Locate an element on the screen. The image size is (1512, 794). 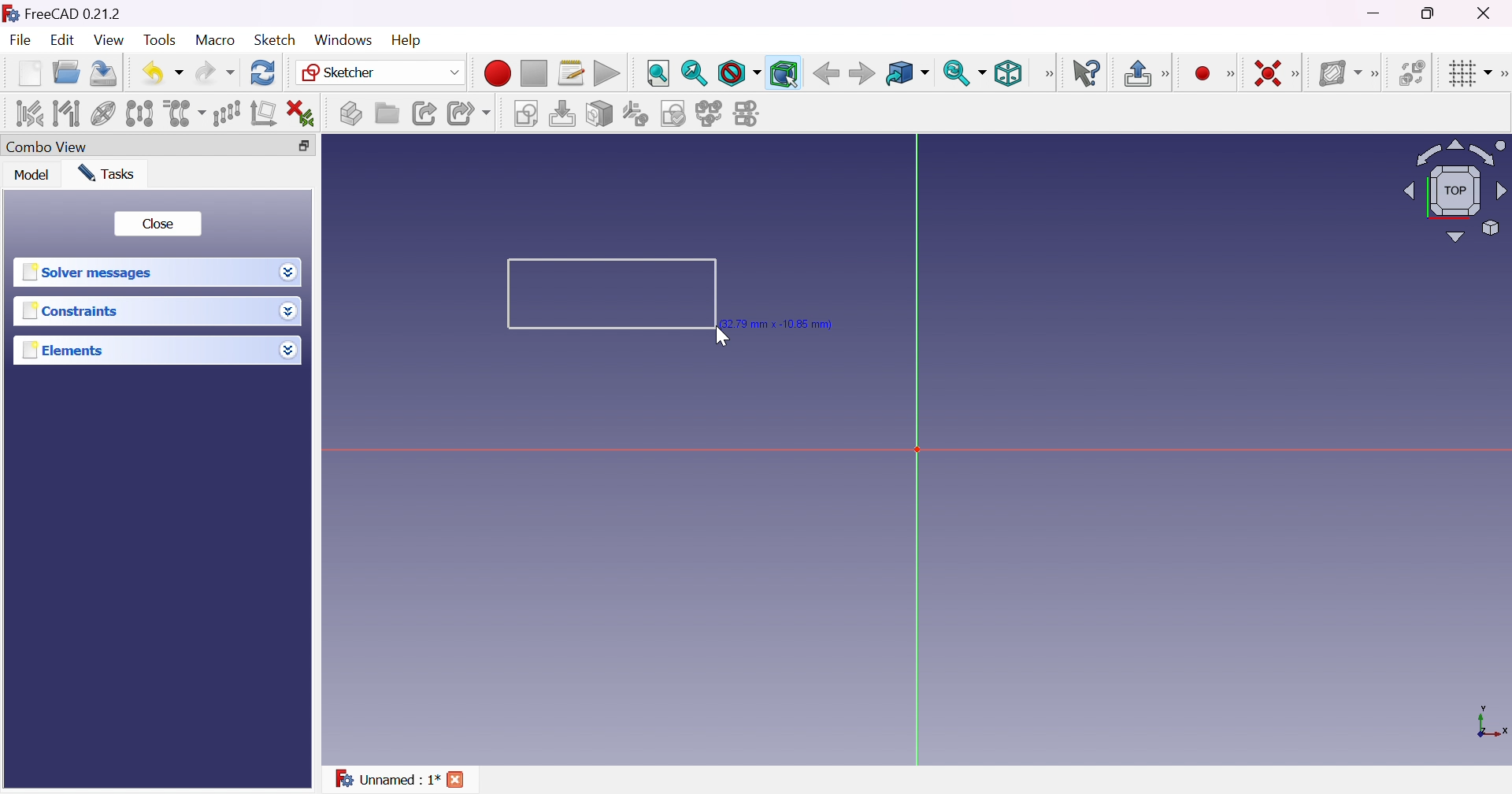
Reorient sketch... is located at coordinates (634, 114).